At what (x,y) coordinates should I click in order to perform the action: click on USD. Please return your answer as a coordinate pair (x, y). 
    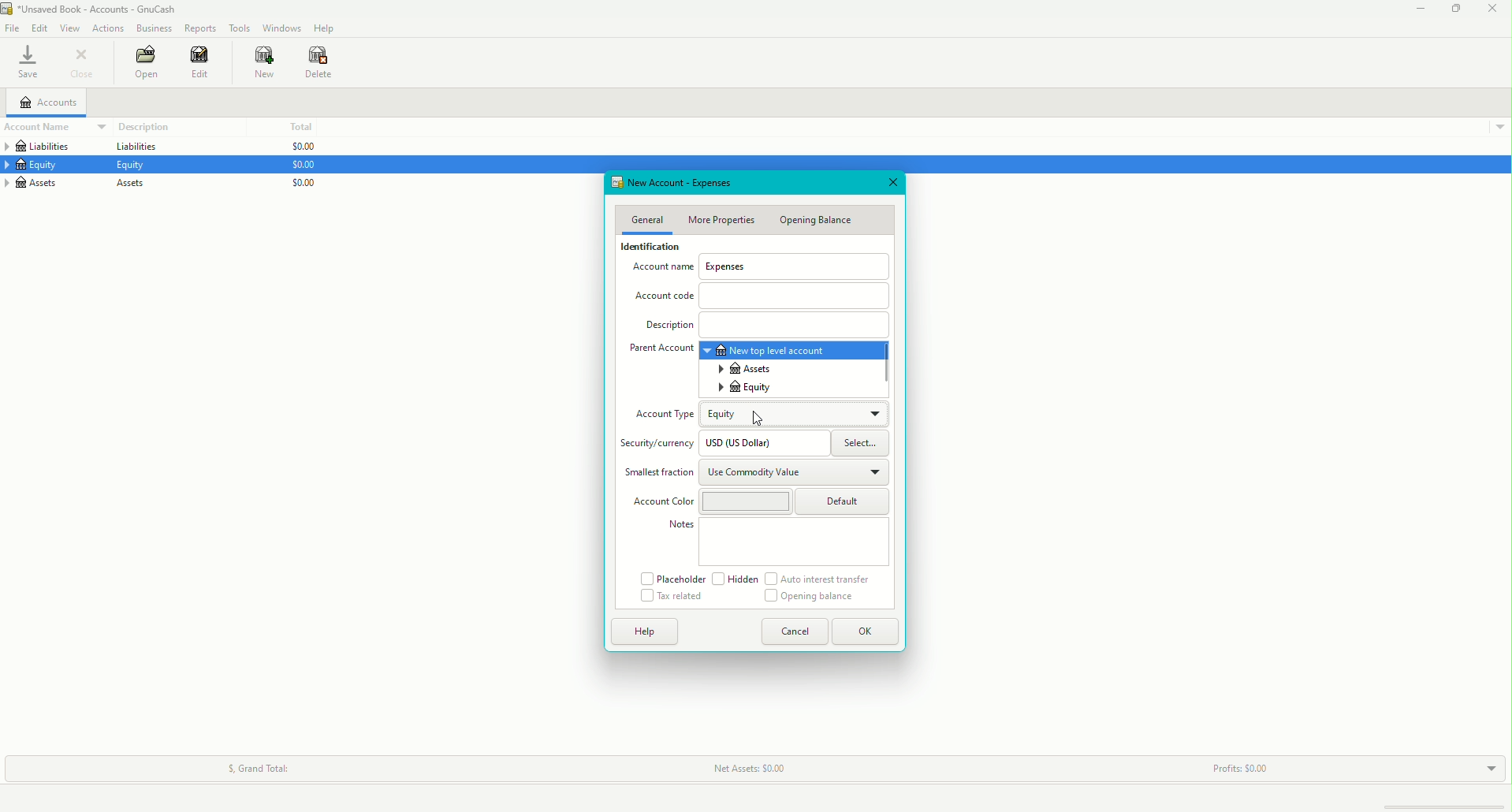
    Looking at the image, I should click on (759, 441).